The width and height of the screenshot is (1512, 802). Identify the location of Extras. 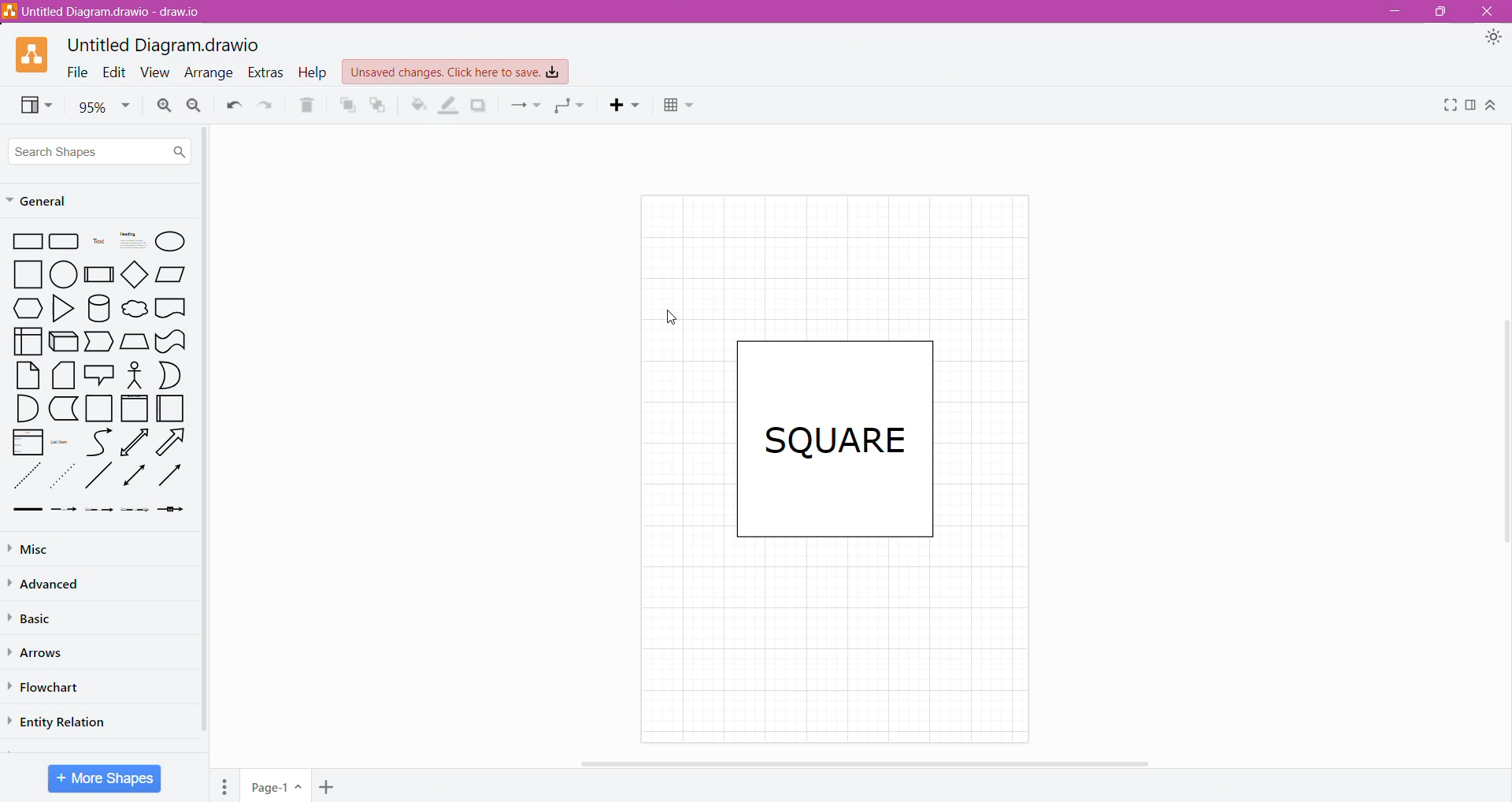
(265, 72).